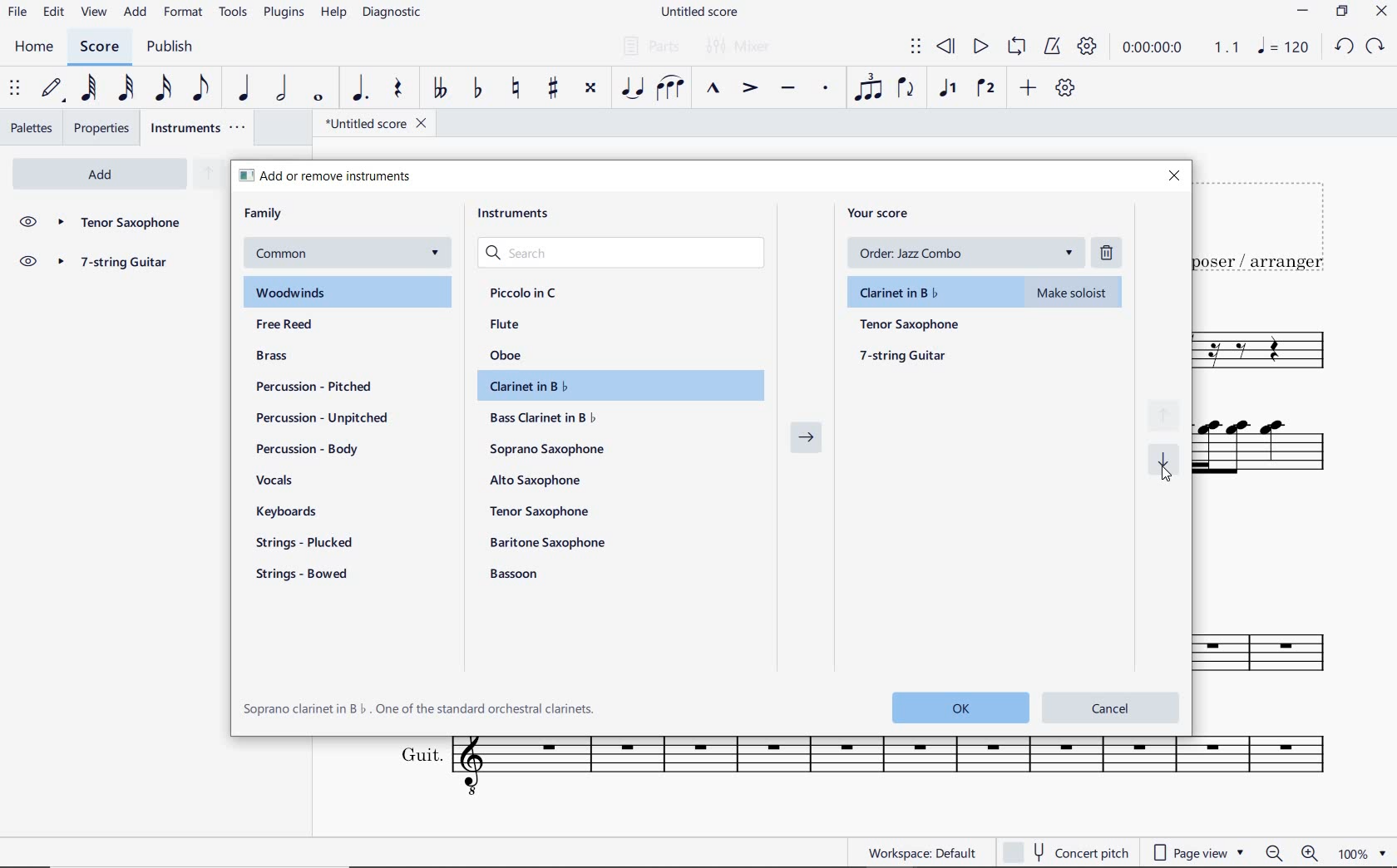 The height and width of the screenshot is (868, 1397). Describe the element at coordinates (87, 87) in the screenshot. I see `64TH NOTE` at that location.